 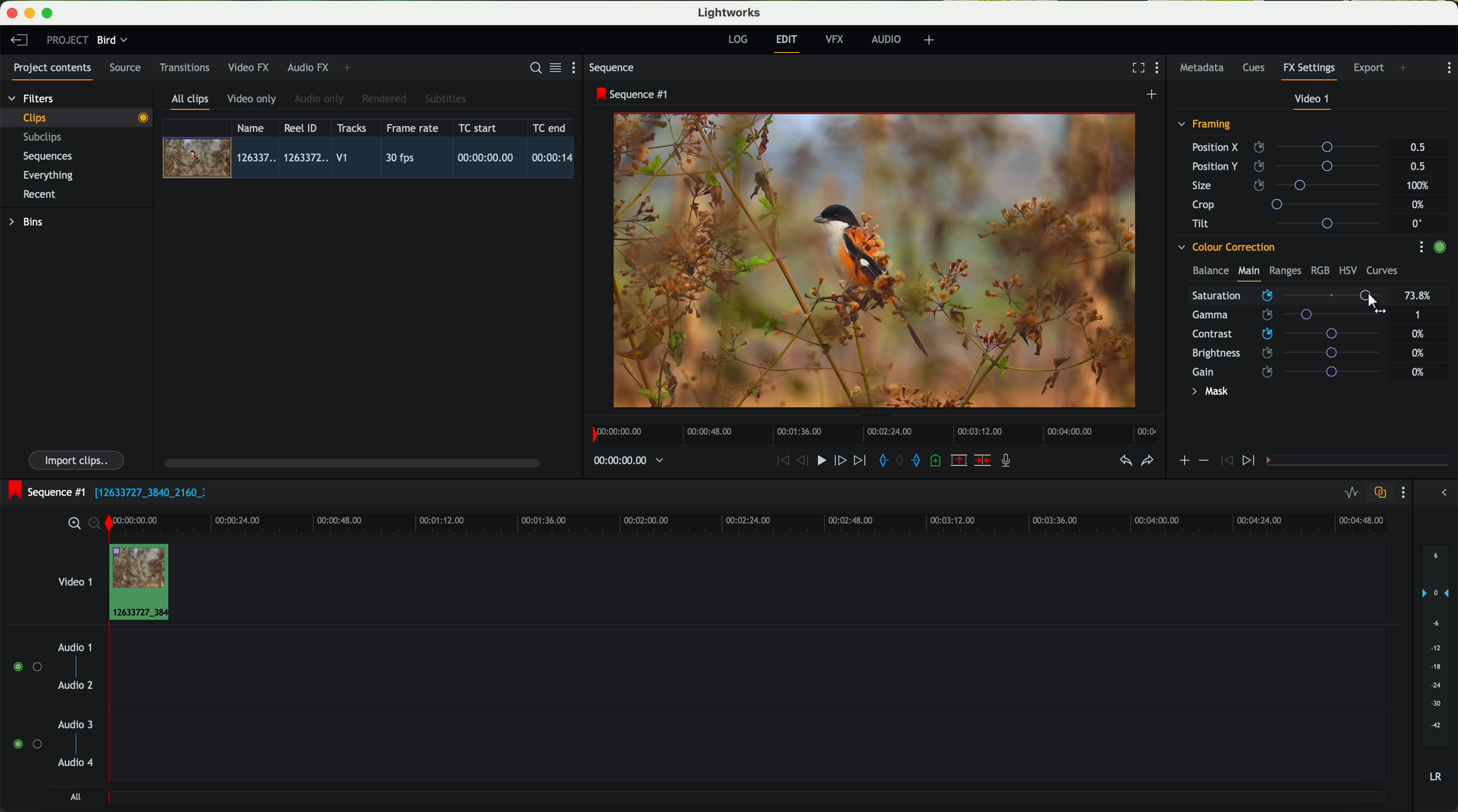 What do you see at coordinates (880, 261) in the screenshot?
I see `video preview` at bounding box center [880, 261].